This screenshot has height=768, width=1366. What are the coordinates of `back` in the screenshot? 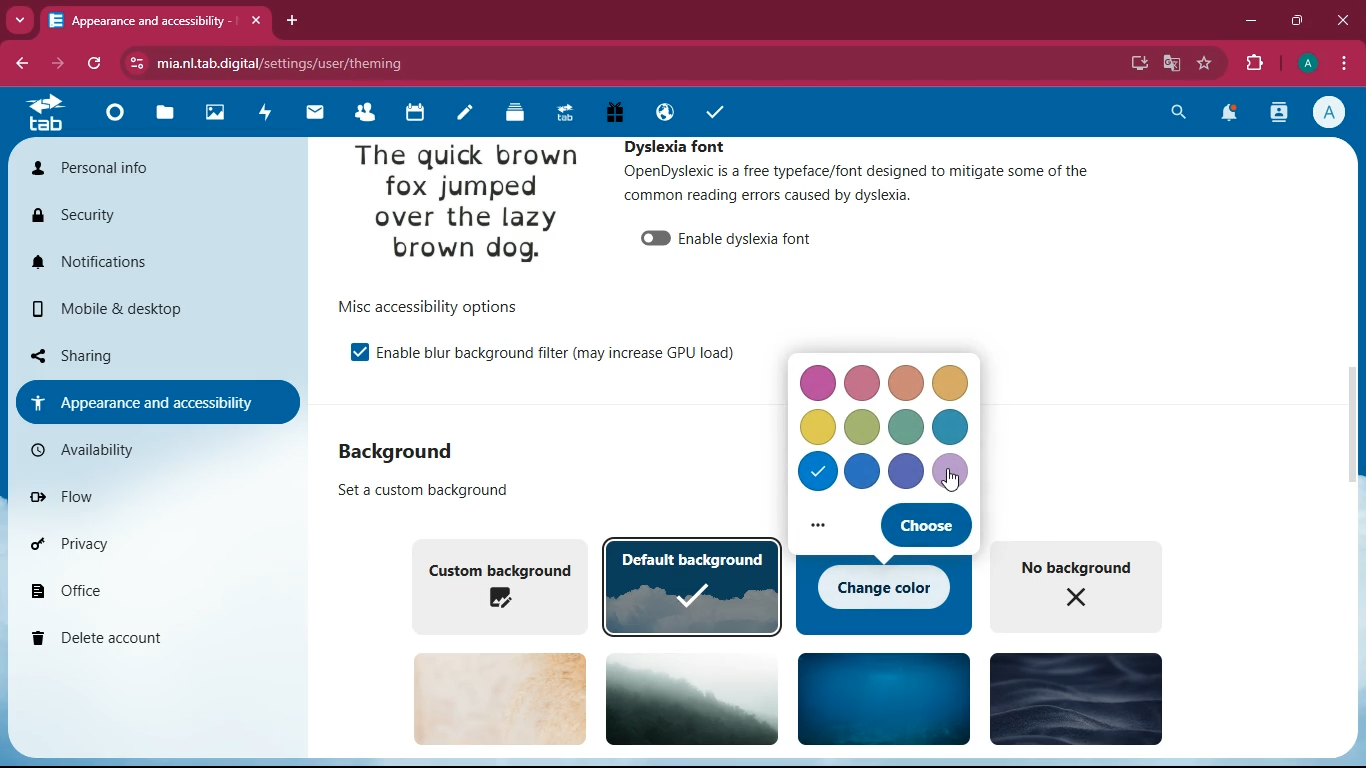 It's located at (24, 64).